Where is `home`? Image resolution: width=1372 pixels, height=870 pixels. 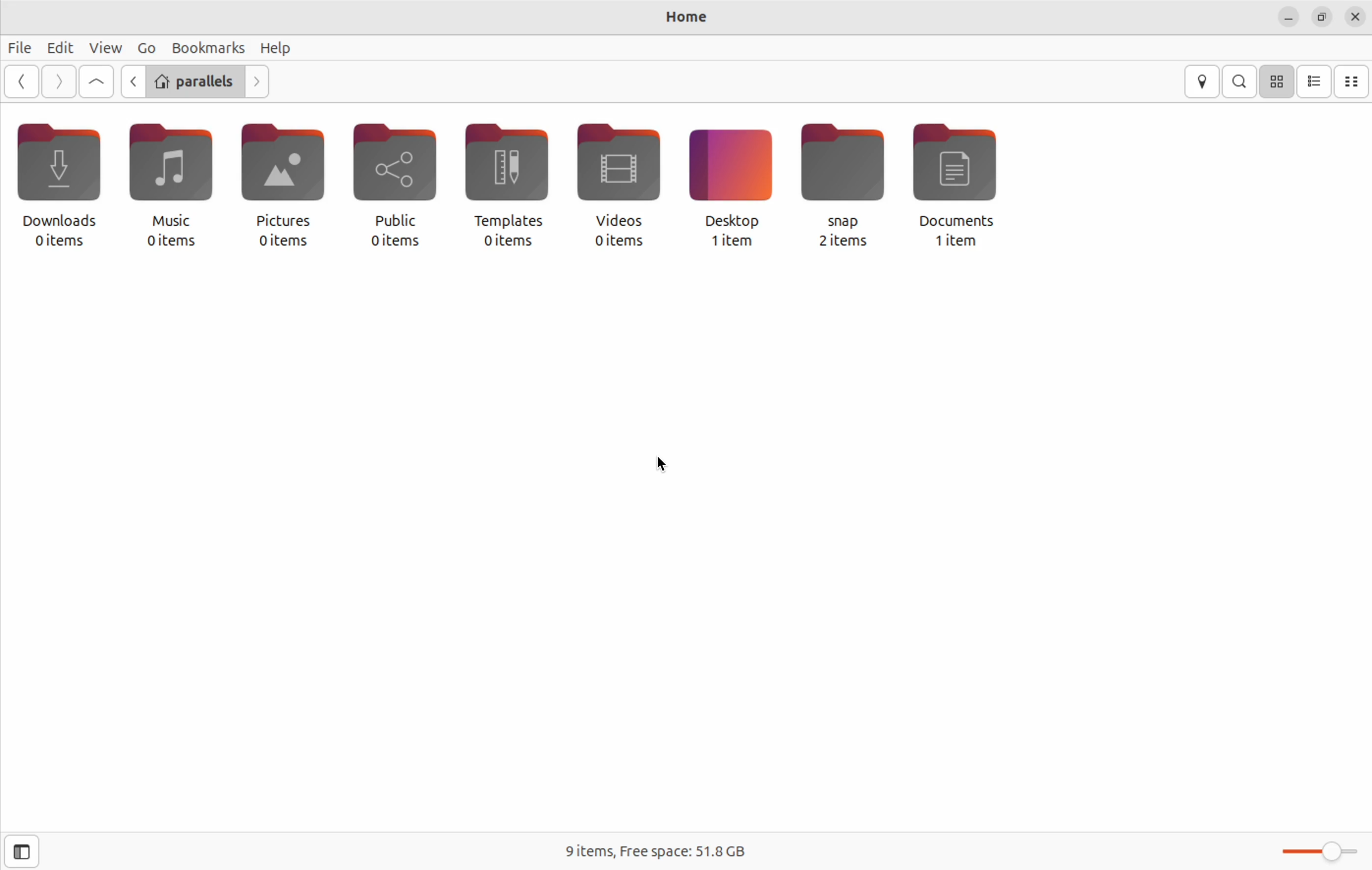
home is located at coordinates (681, 18).